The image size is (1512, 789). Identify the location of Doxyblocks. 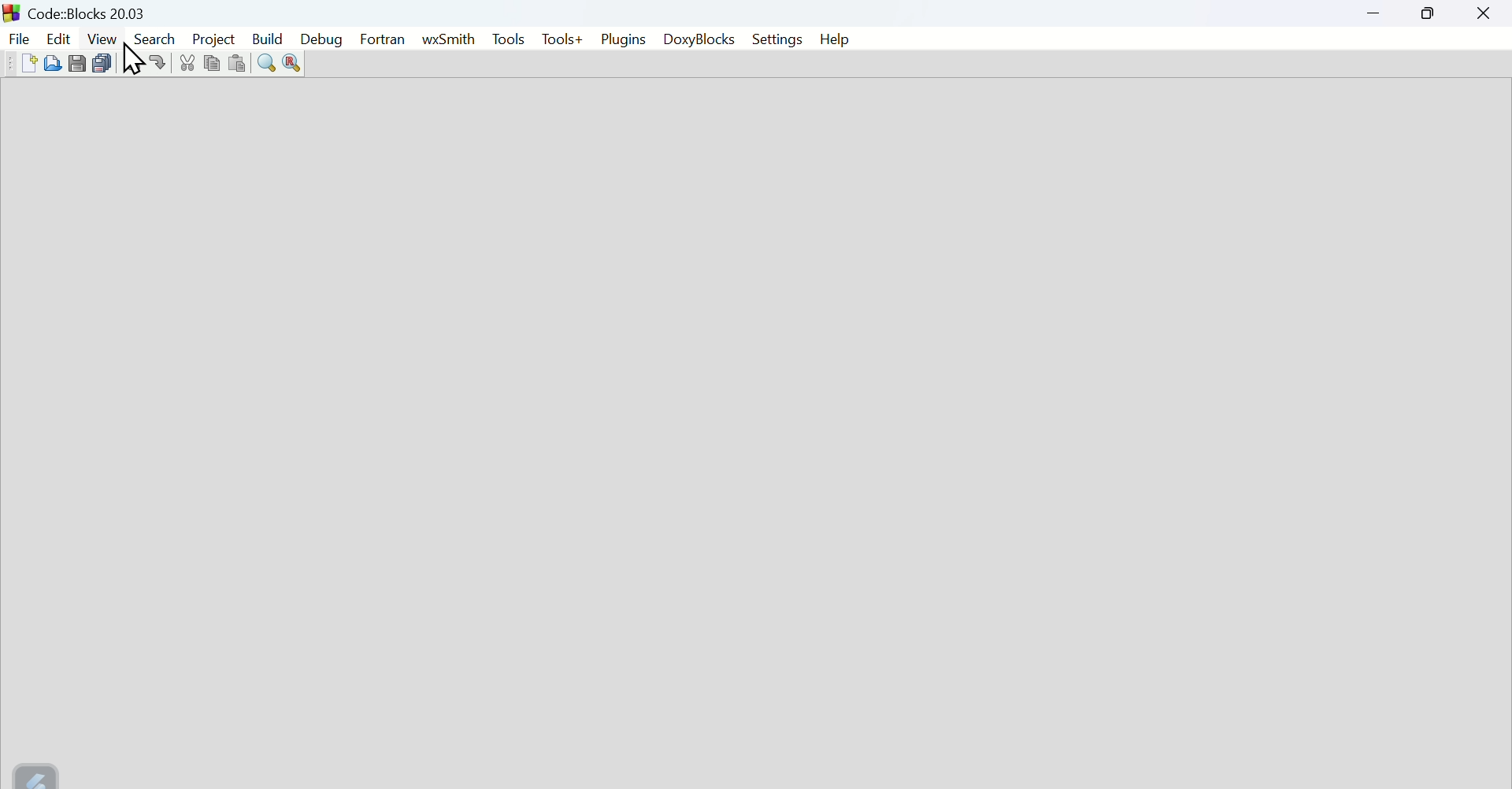
(698, 38).